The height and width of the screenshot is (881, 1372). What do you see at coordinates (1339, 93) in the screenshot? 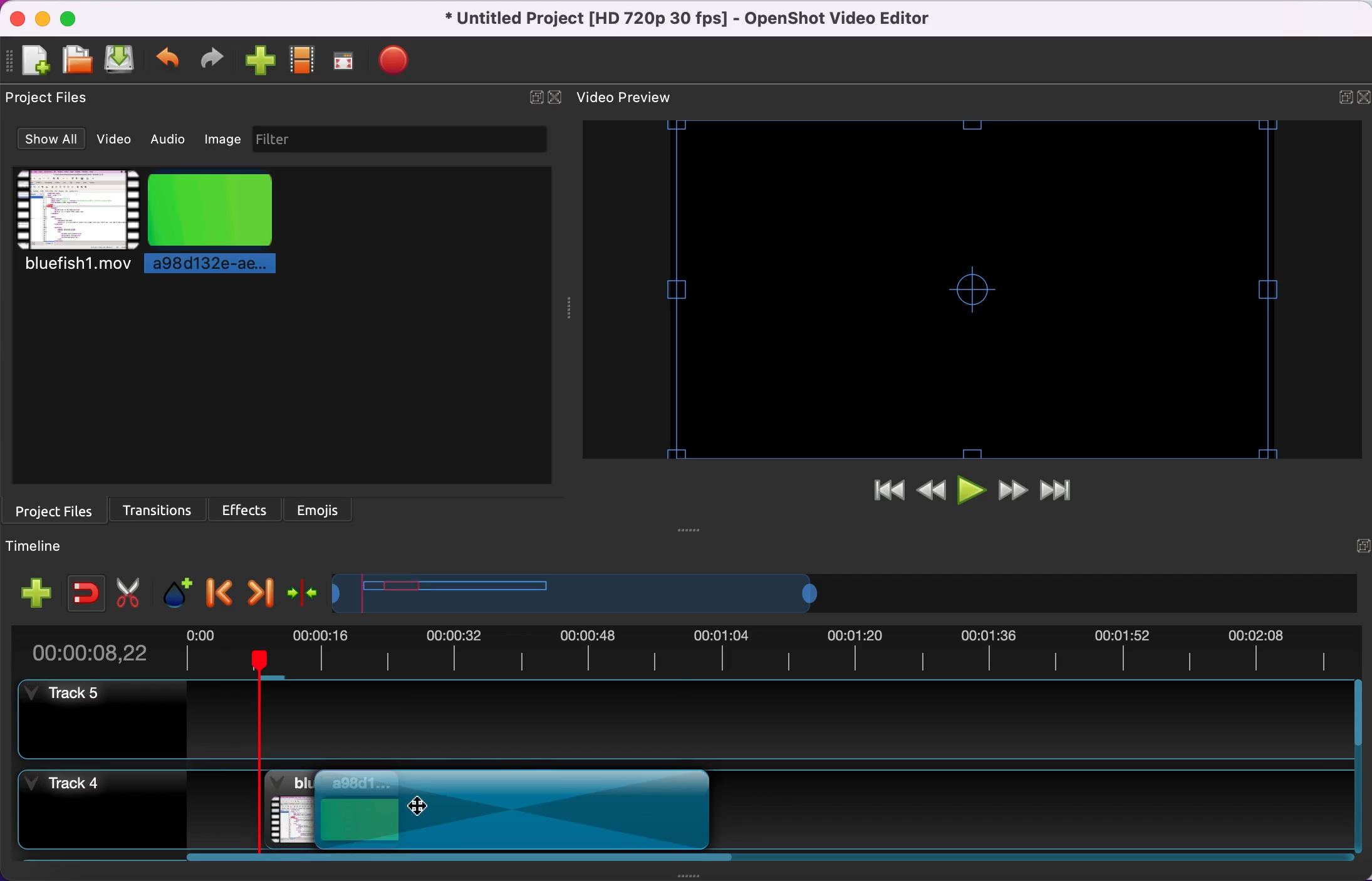
I see `expand/hide` at bounding box center [1339, 93].